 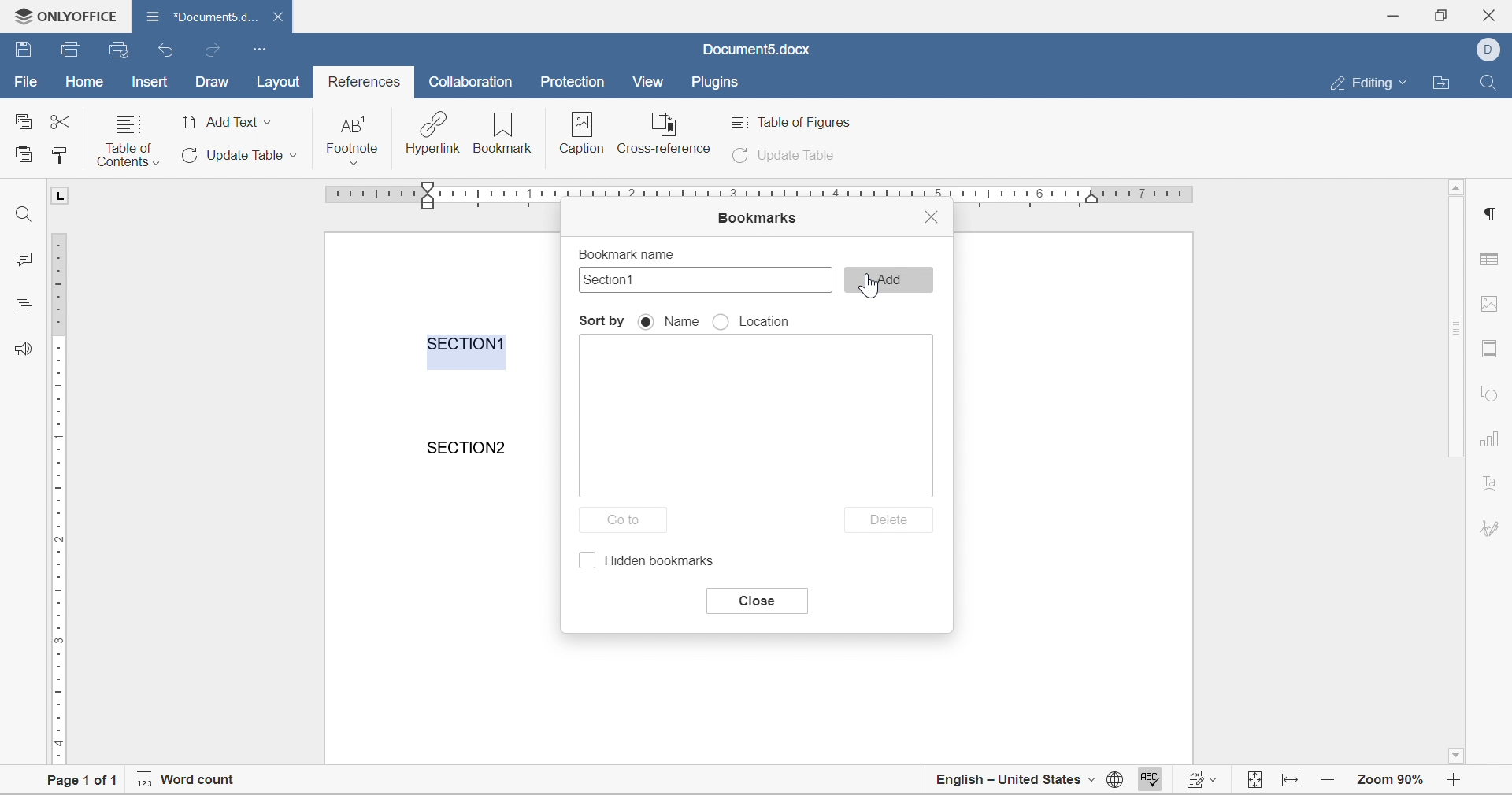 What do you see at coordinates (281, 17) in the screenshot?
I see `close` at bounding box center [281, 17].